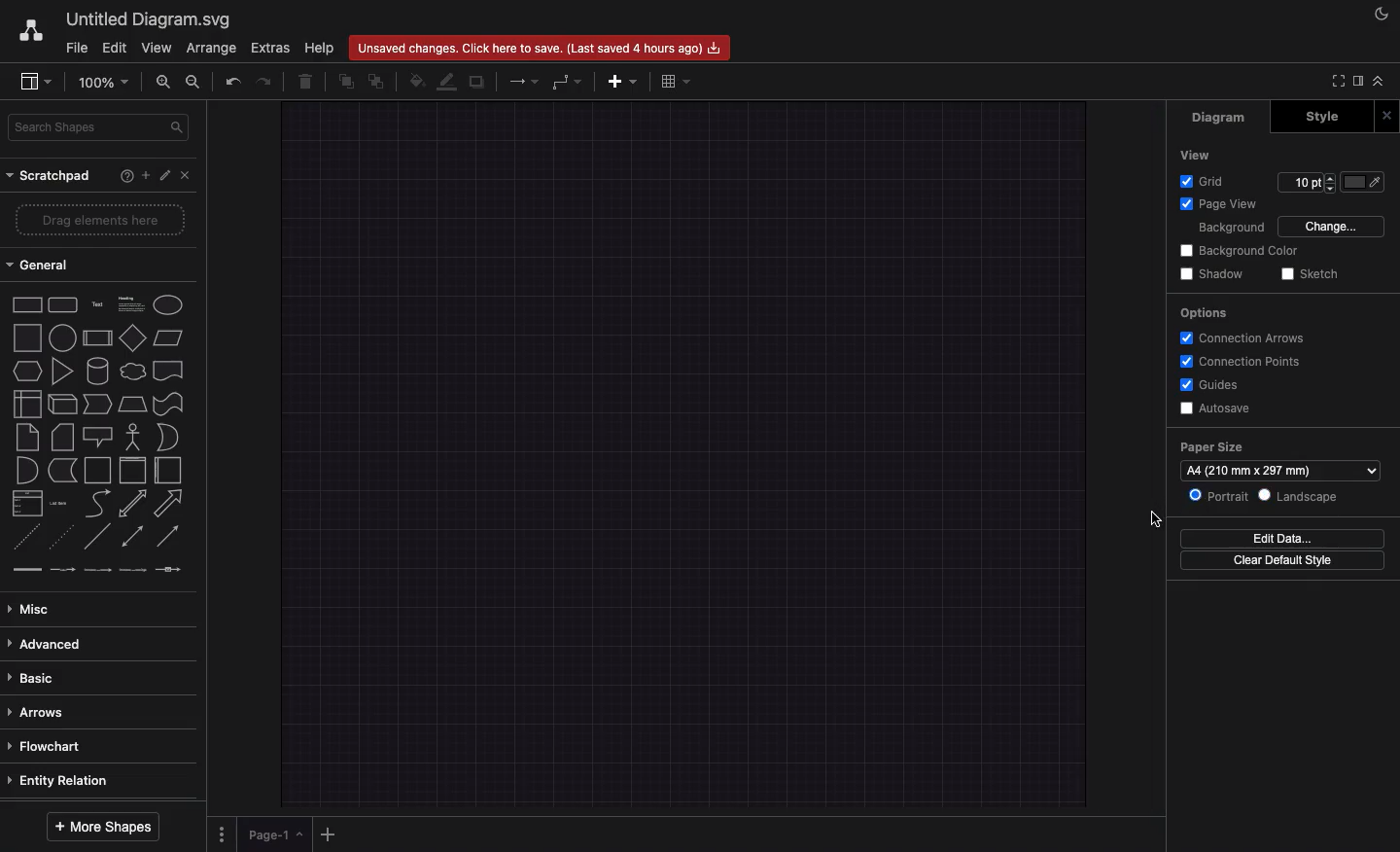 The image size is (1400, 852). Describe the element at coordinates (418, 82) in the screenshot. I see `Fill color` at that location.